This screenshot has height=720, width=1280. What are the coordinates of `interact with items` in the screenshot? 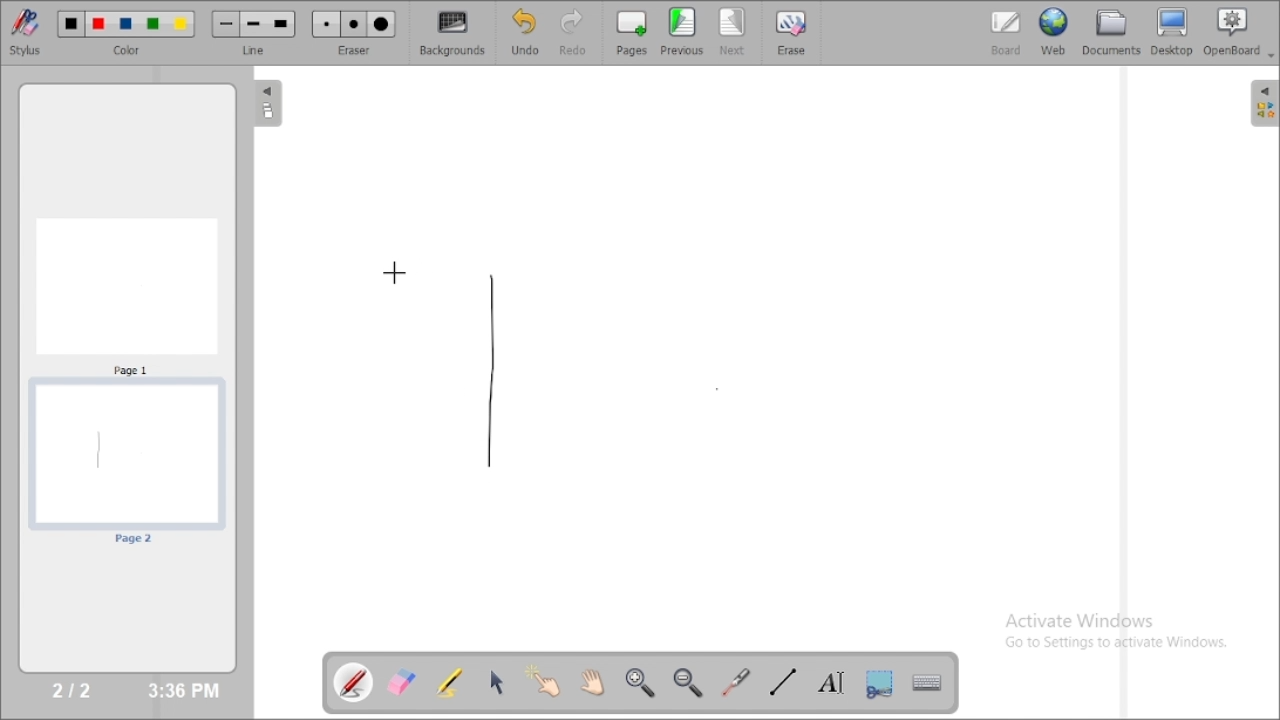 It's located at (545, 681).